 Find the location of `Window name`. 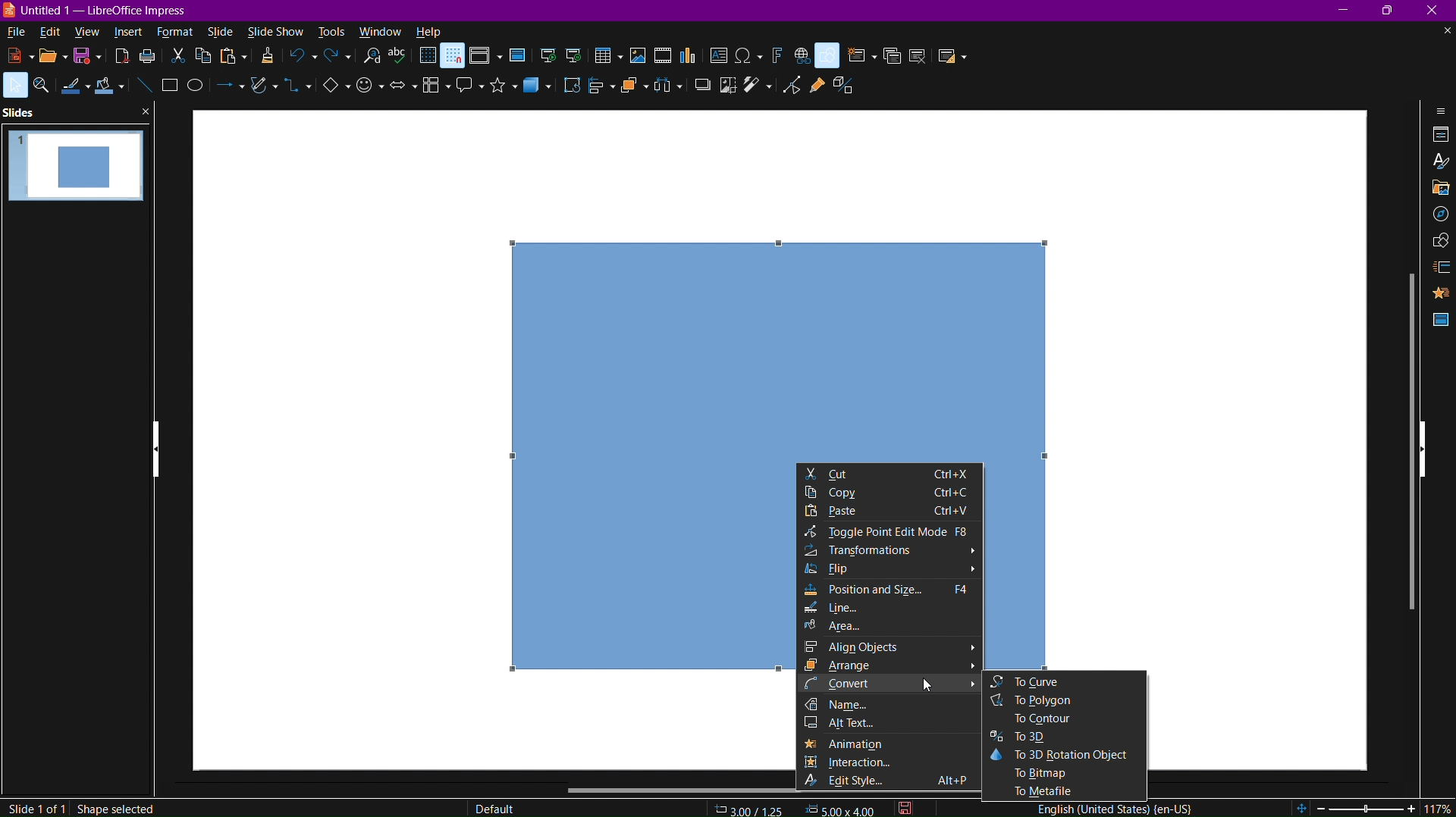

Window name is located at coordinates (97, 11).